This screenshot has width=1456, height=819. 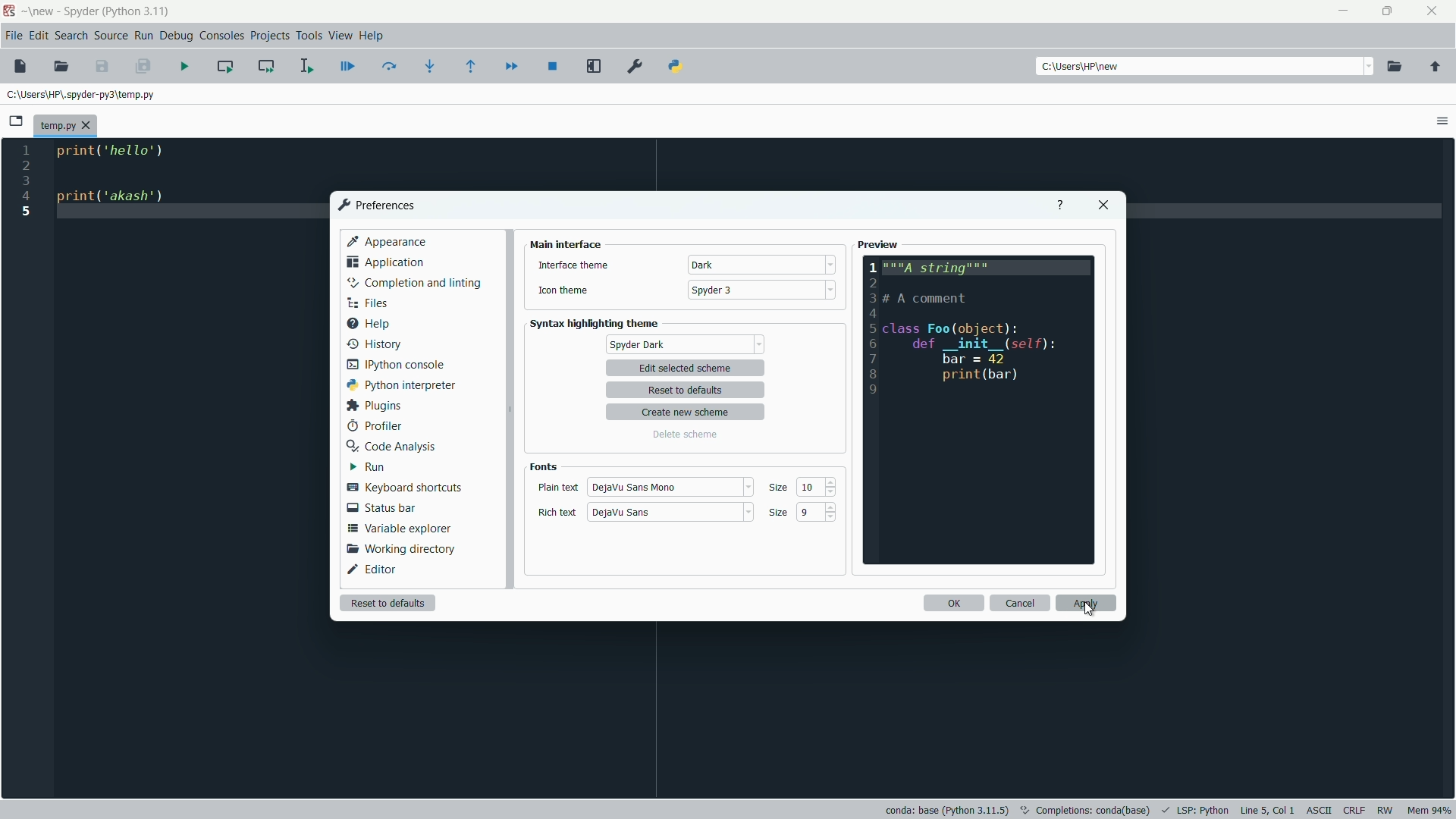 I want to click on main interface, so click(x=566, y=244).